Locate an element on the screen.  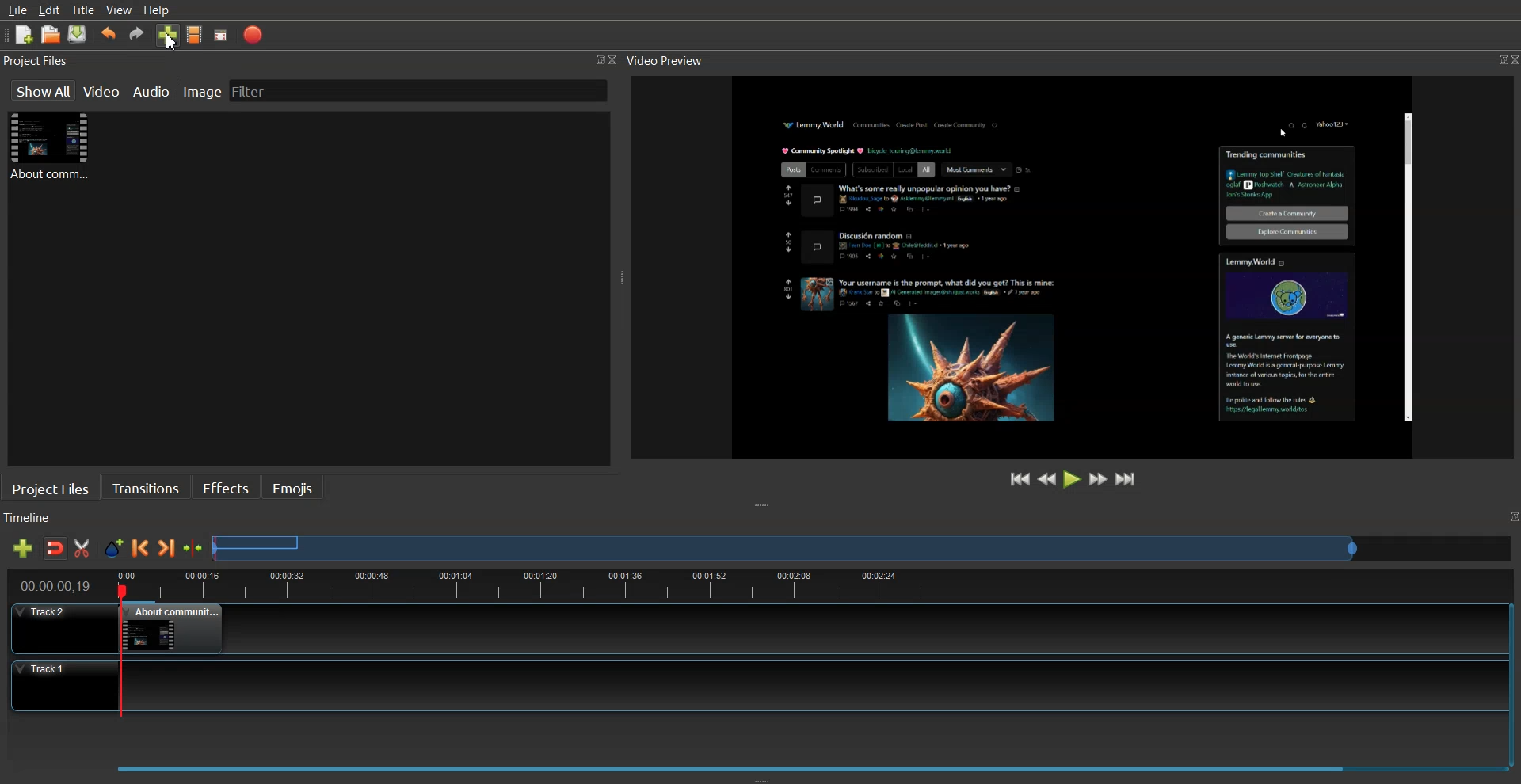
Slider is located at coordinates (757, 763).